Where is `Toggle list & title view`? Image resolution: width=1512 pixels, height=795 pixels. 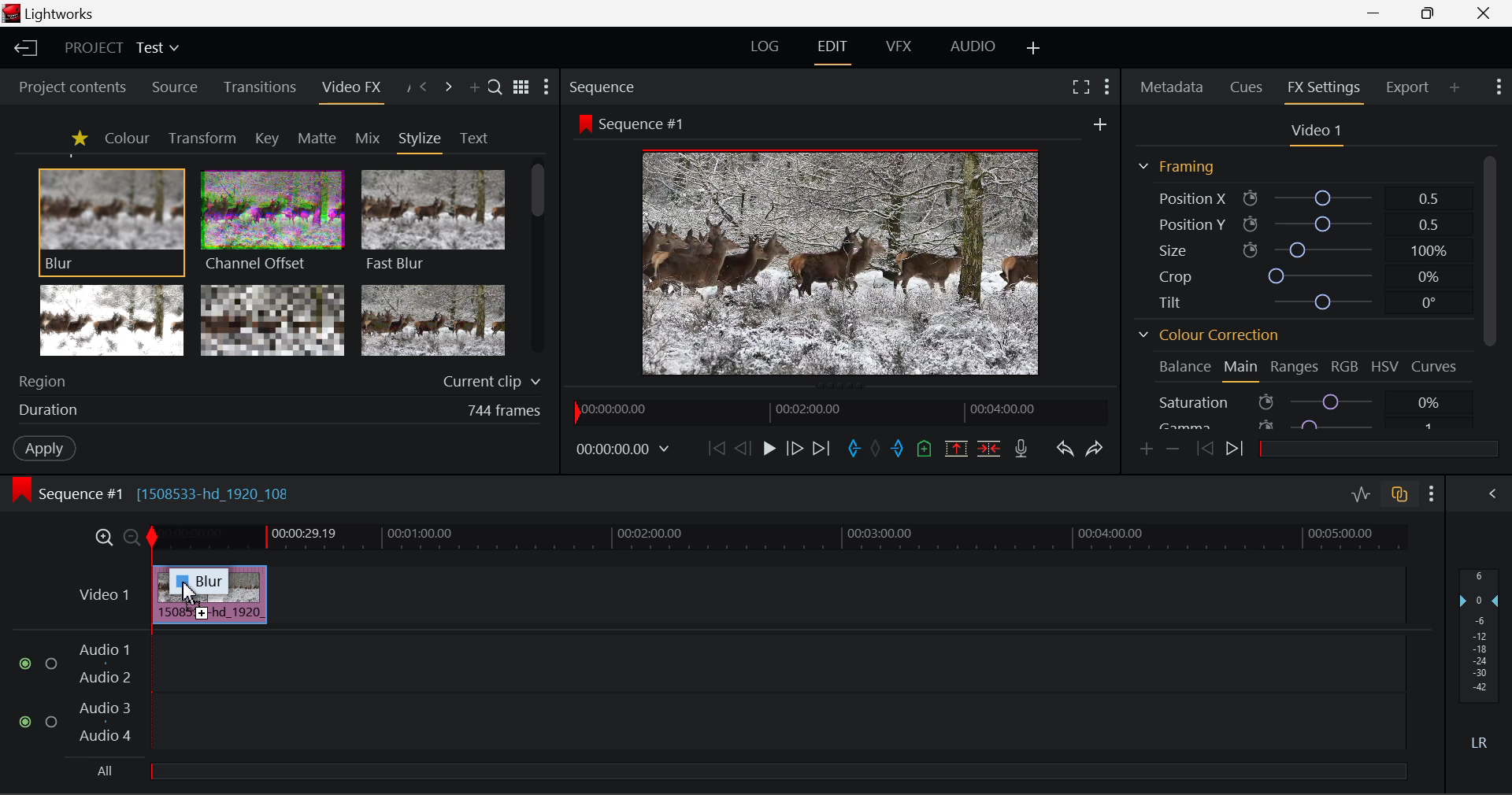
Toggle list & title view is located at coordinates (521, 89).